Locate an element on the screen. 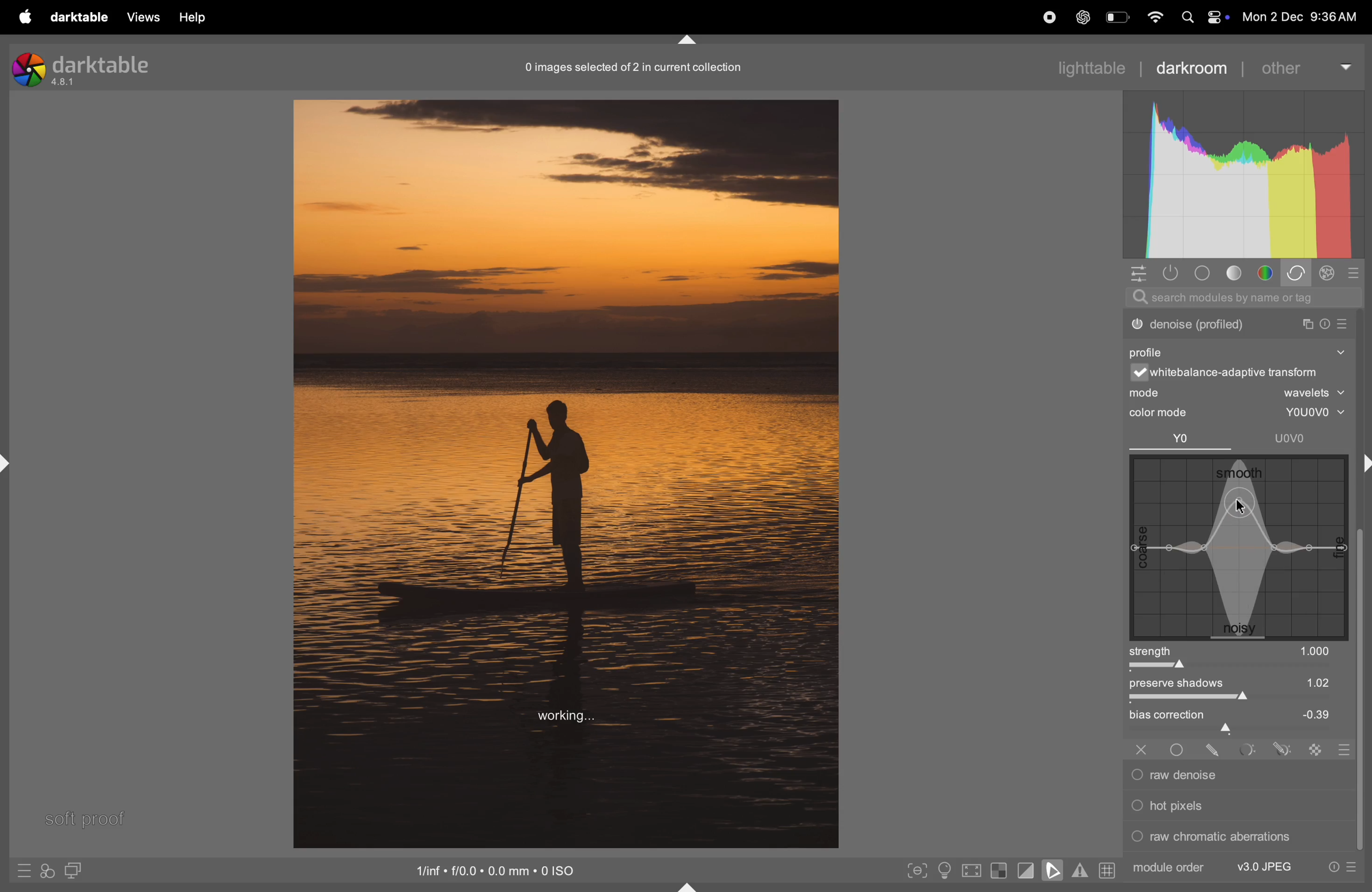 This screenshot has width=1372, height=892. raw denoise is located at coordinates (1232, 775).